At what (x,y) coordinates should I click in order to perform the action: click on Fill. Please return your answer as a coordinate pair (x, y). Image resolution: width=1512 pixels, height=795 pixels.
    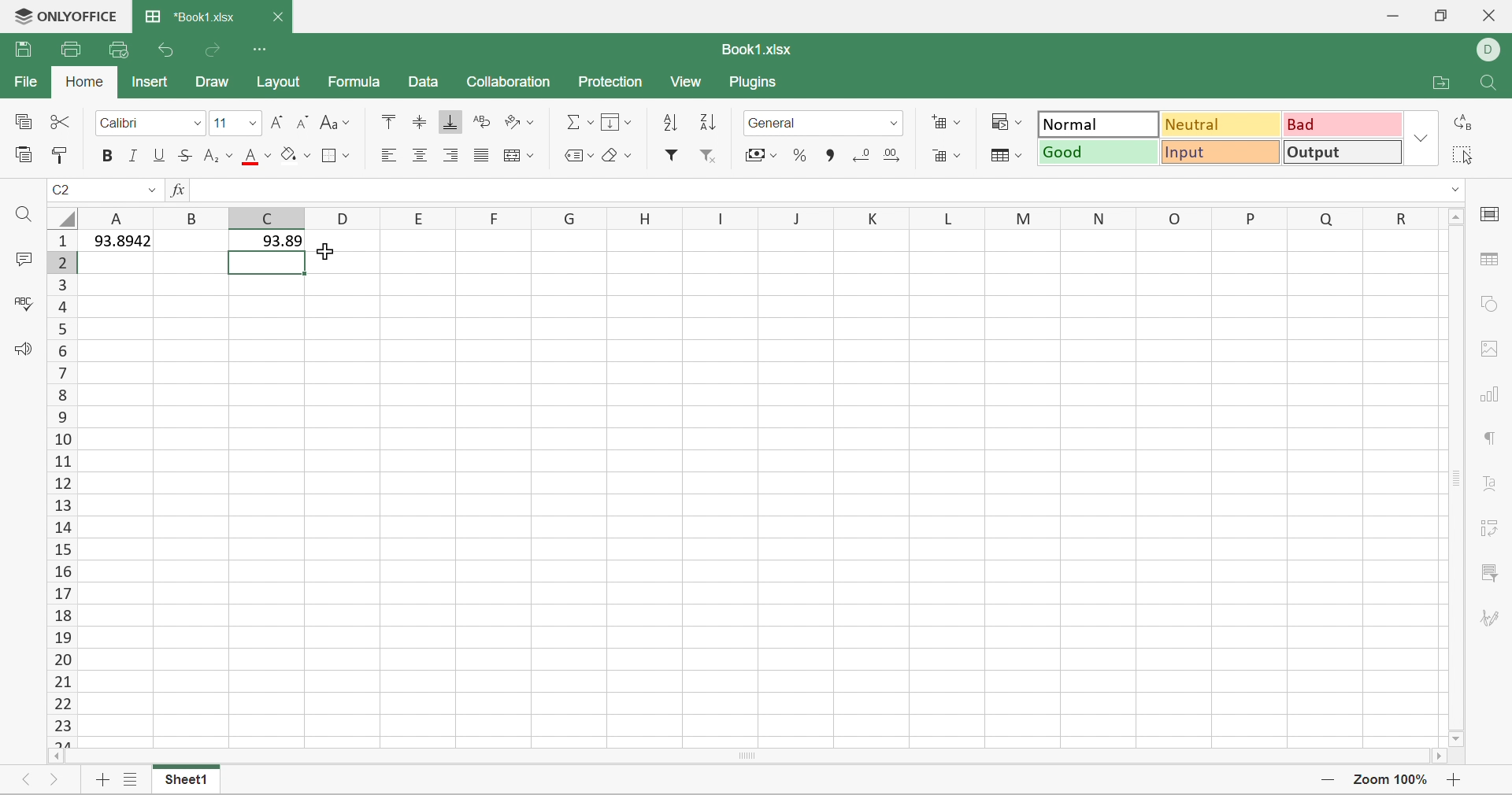
    Looking at the image, I should click on (615, 120).